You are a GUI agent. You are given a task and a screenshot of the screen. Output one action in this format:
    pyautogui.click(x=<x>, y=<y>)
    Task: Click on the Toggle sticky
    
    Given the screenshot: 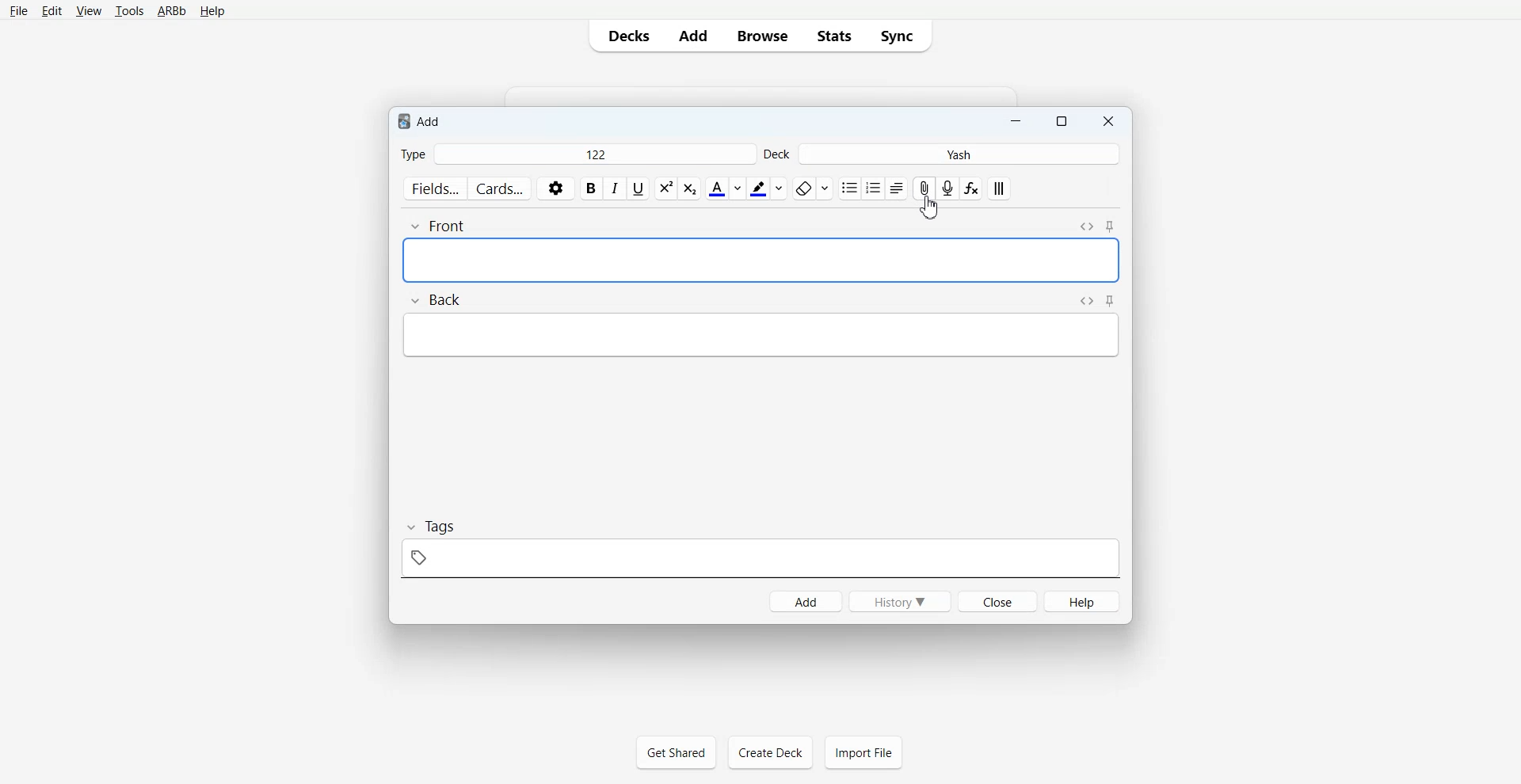 What is the action you would take?
    pyautogui.click(x=1109, y=226)
    